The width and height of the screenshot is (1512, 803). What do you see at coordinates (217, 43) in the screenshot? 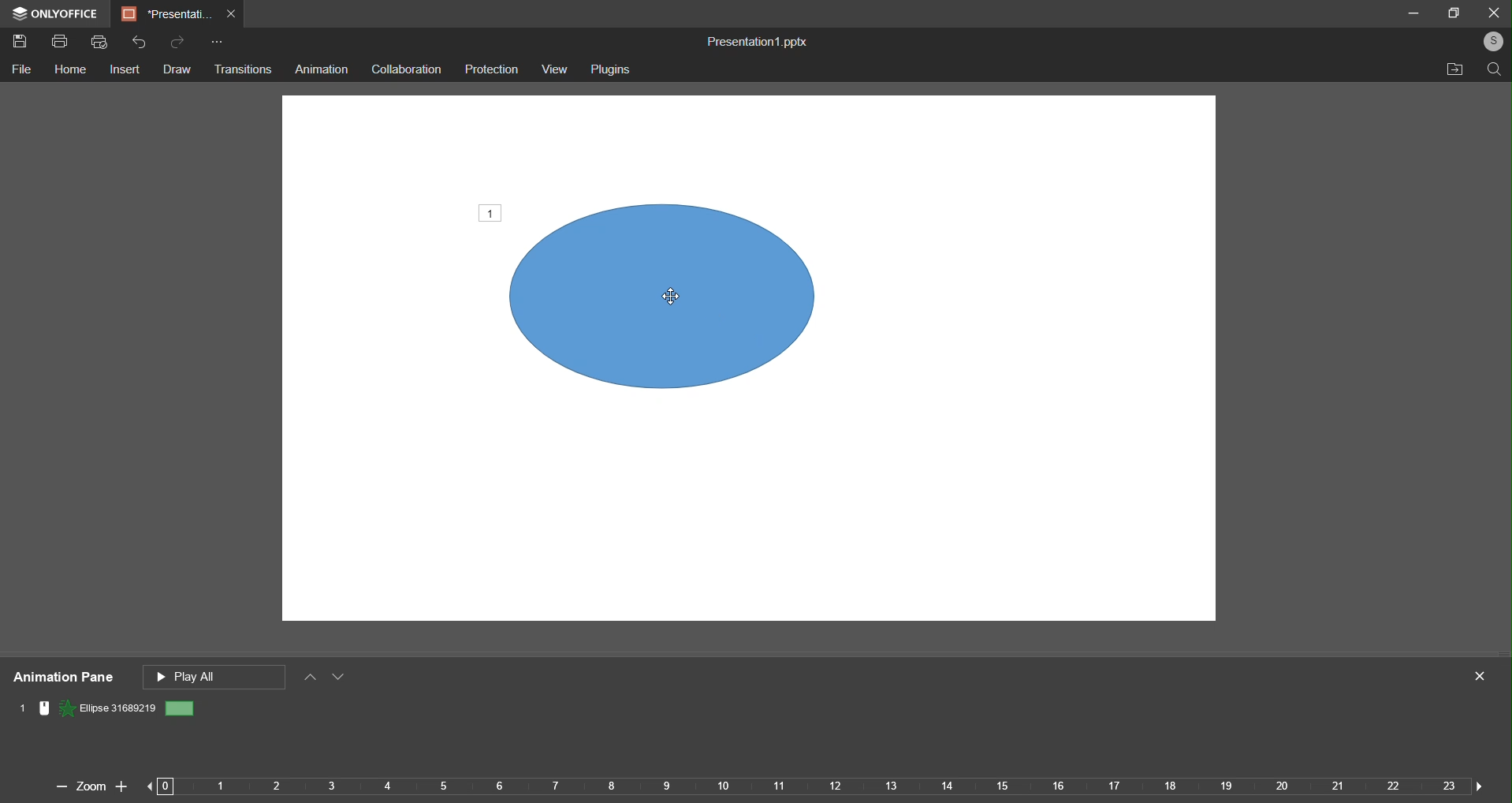
I see `Customize Quick Access` at bounding box center [217, 43].